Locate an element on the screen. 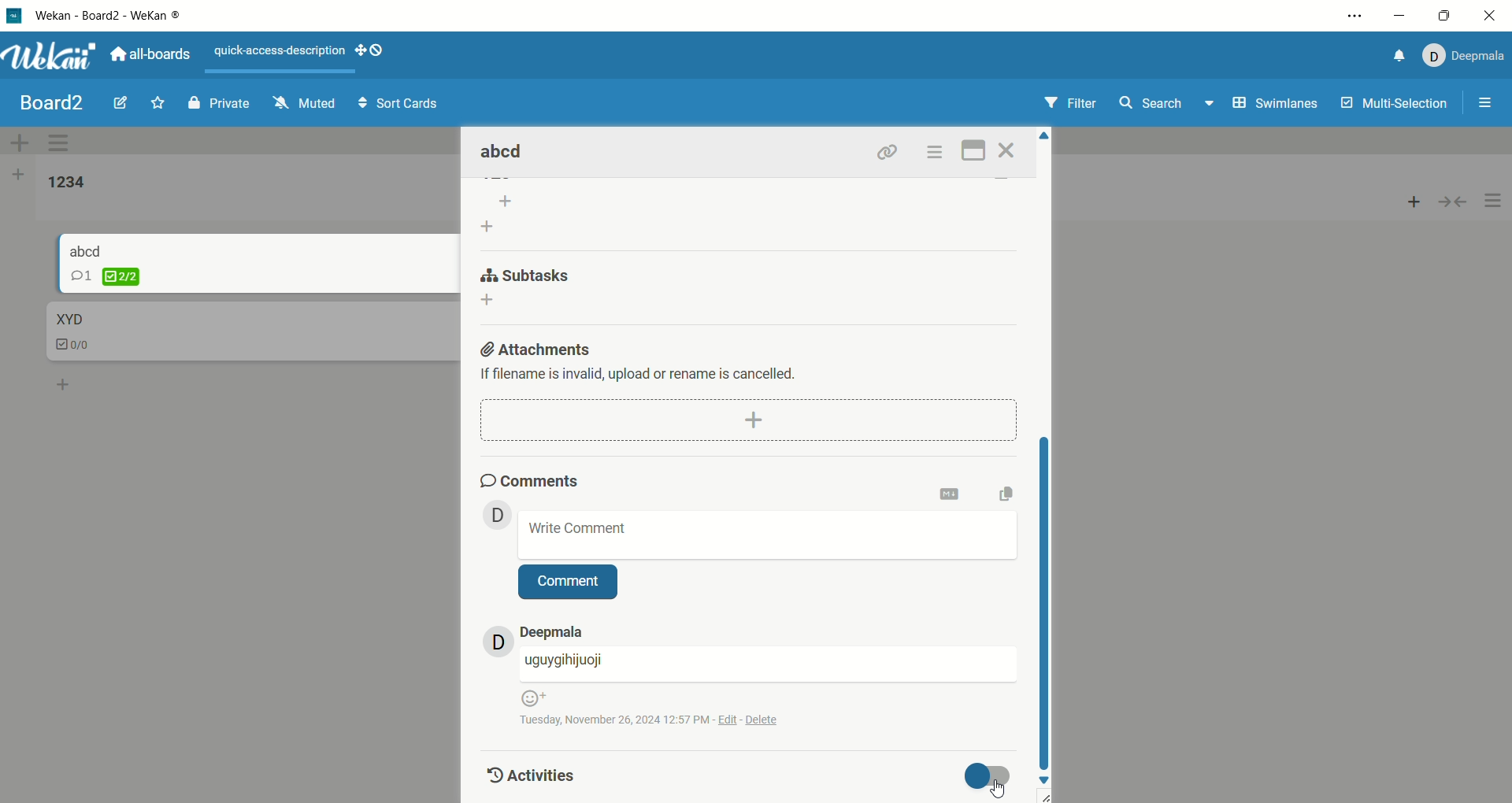 This screenshot has height=803, width=1512. subtask is located at coordinates (528, 273).